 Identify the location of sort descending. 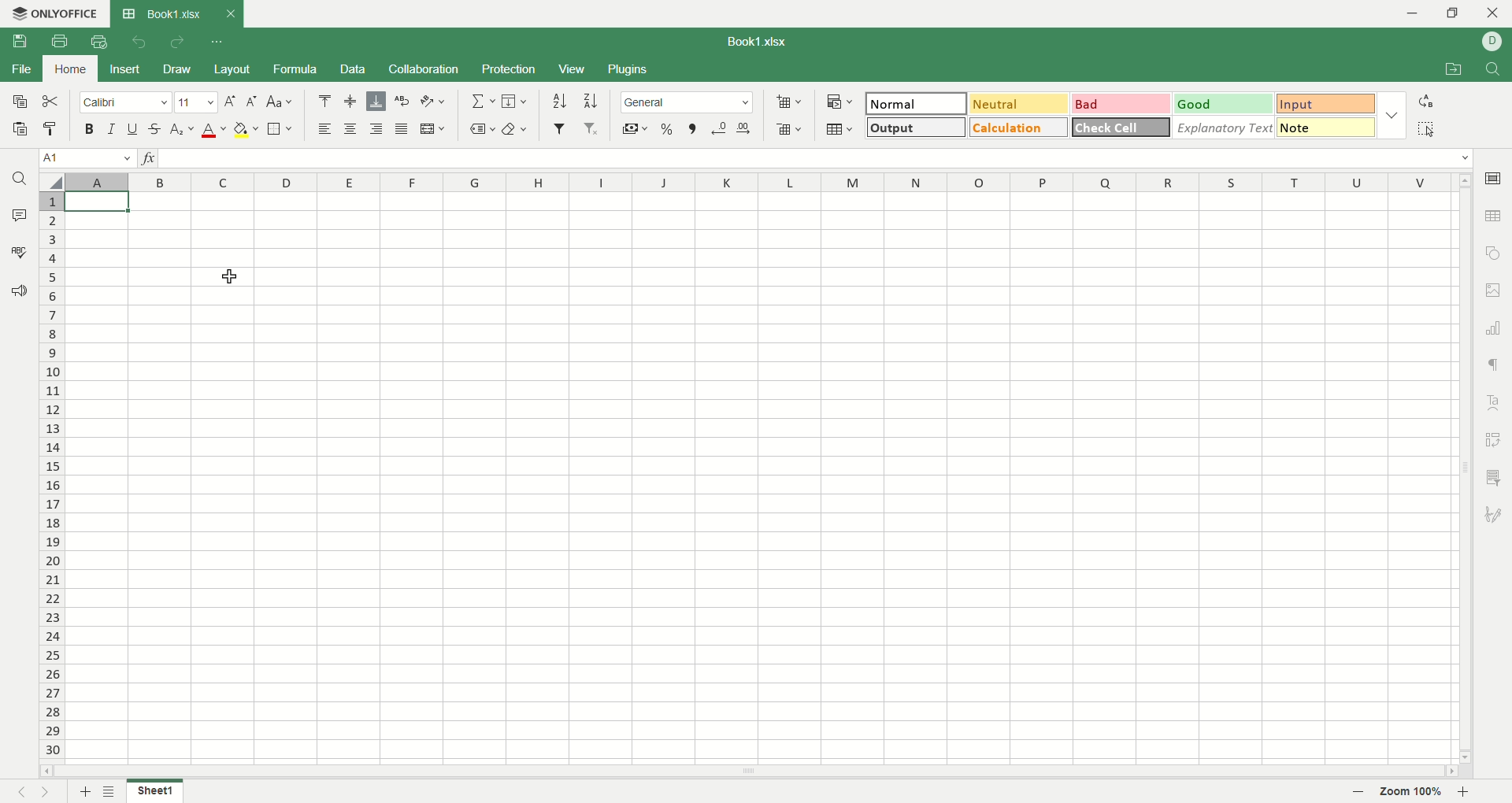
(591, 101).